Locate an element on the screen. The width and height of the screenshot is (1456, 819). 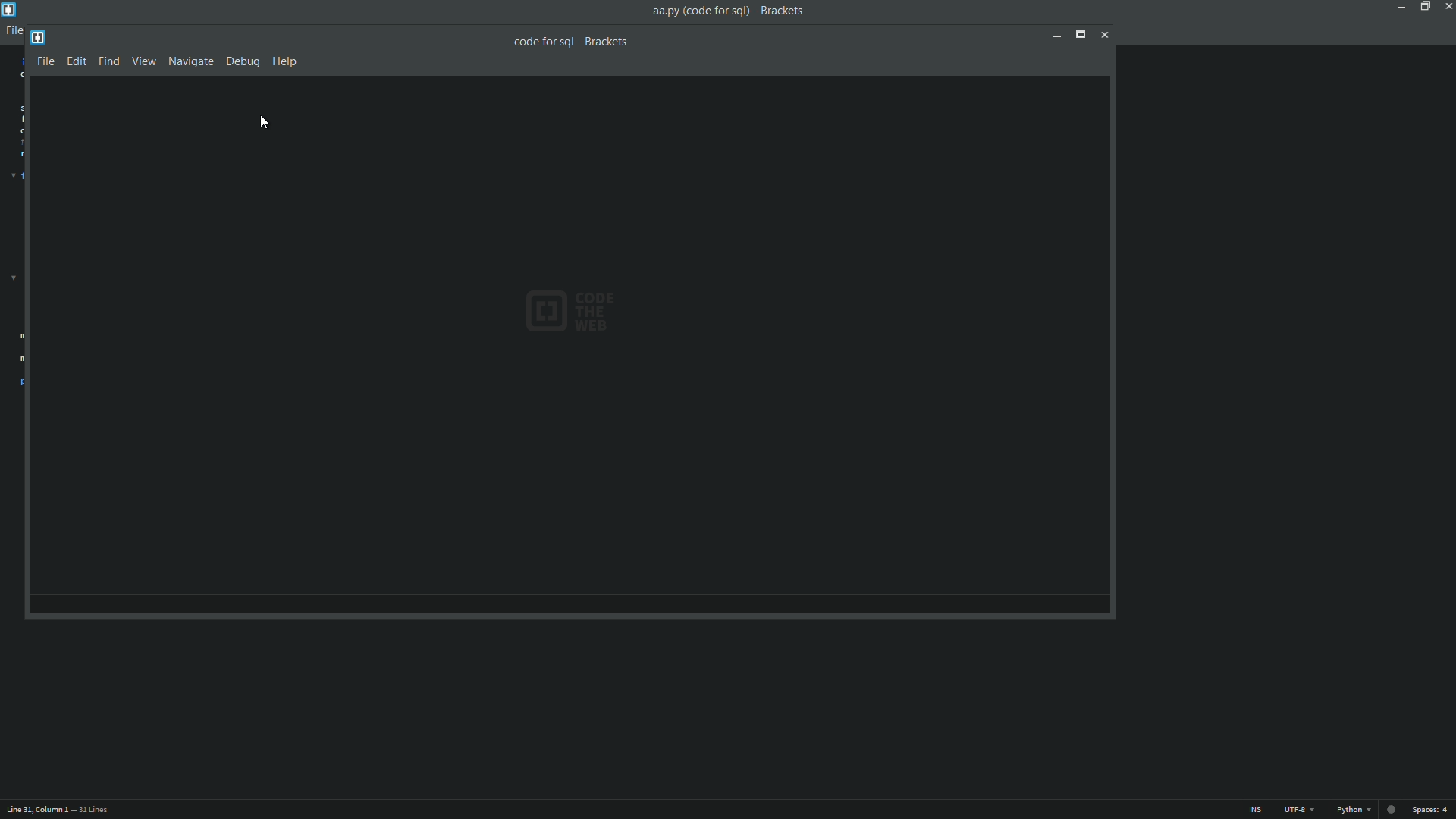
logo is located at coordinates (39, 36).